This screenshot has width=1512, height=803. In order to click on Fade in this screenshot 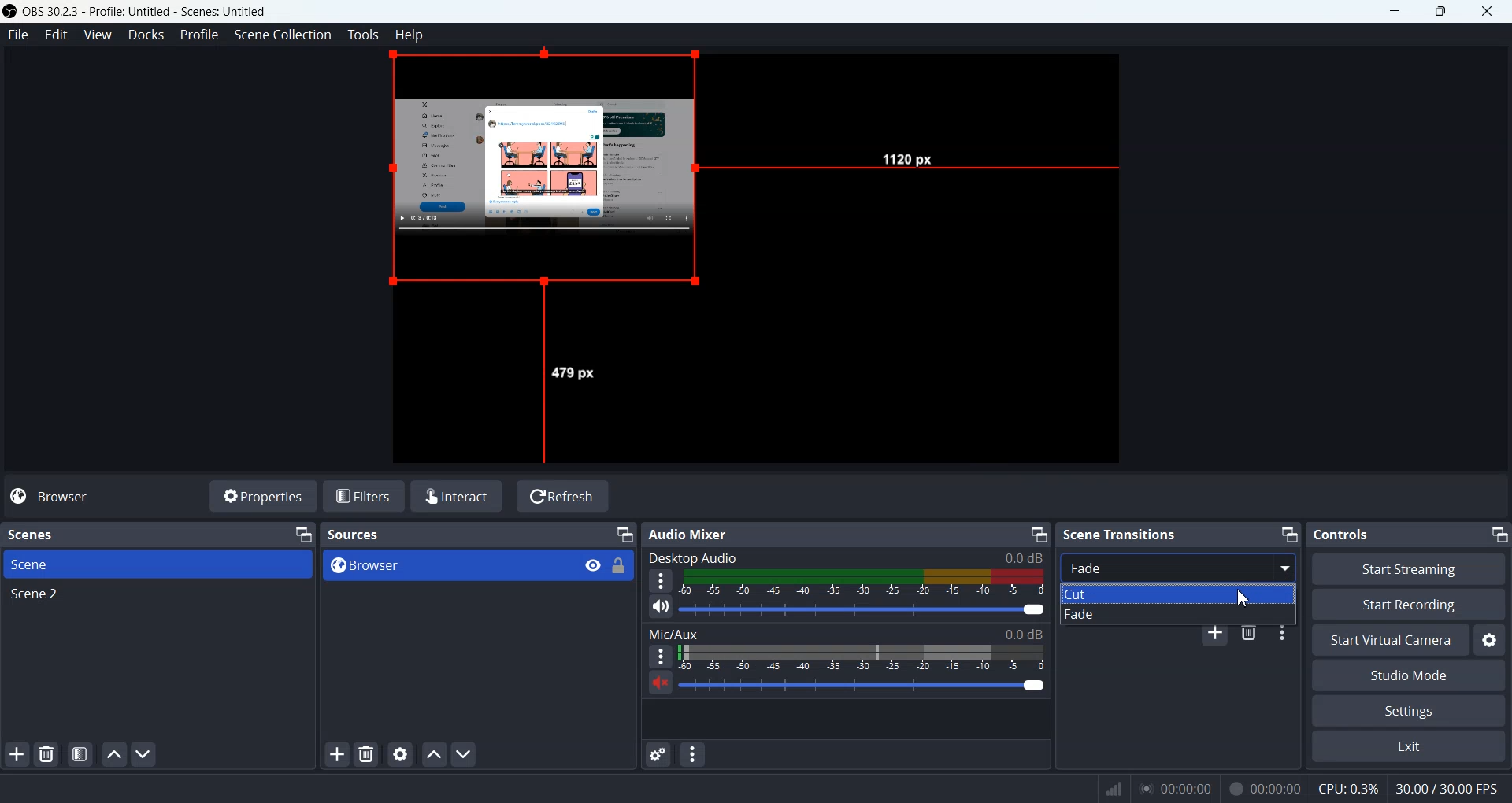, I will do `click(1184, 567)`.